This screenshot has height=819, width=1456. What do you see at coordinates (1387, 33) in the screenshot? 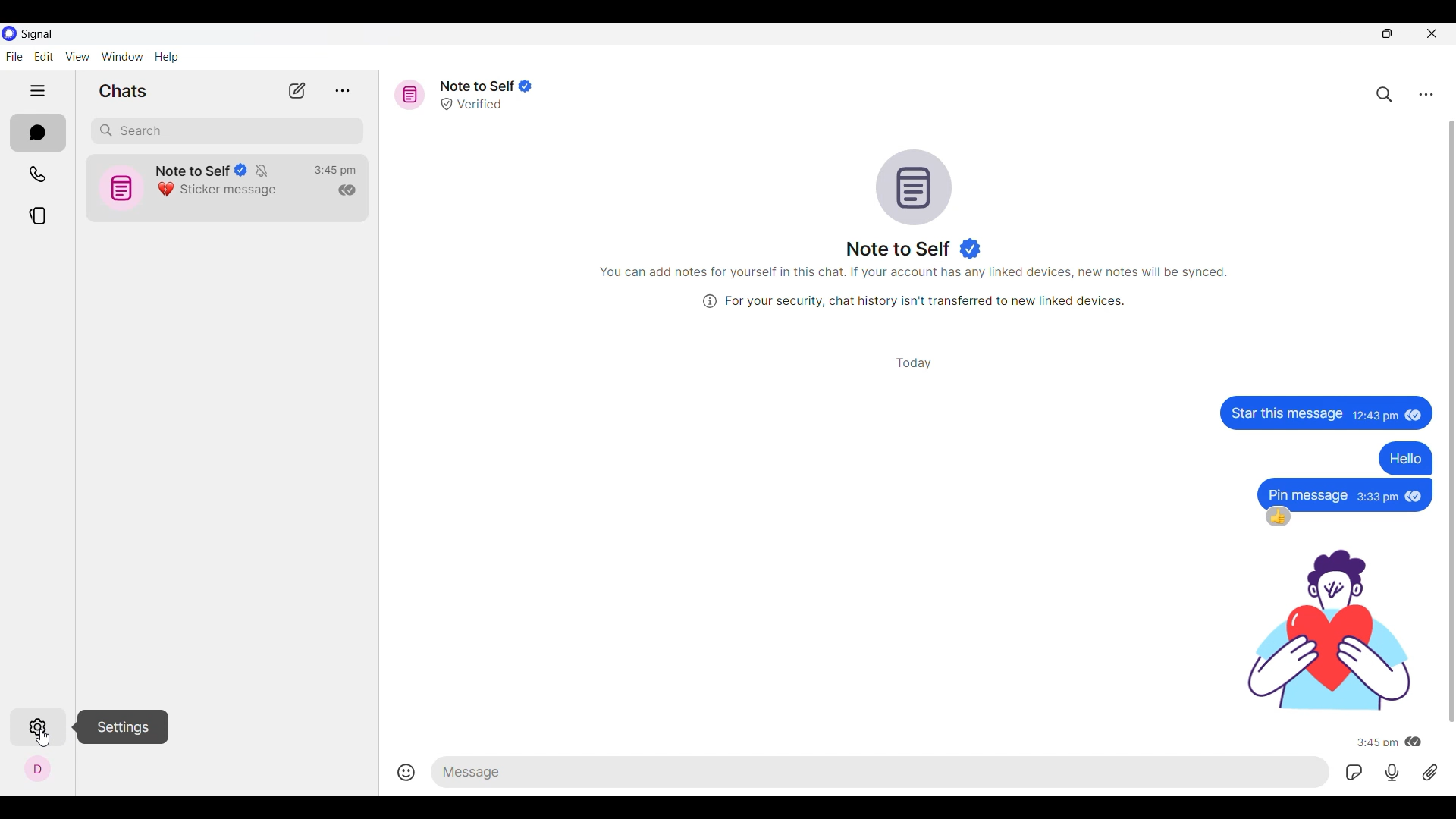
I see `Restore down` at bounding box center [1387, 33].